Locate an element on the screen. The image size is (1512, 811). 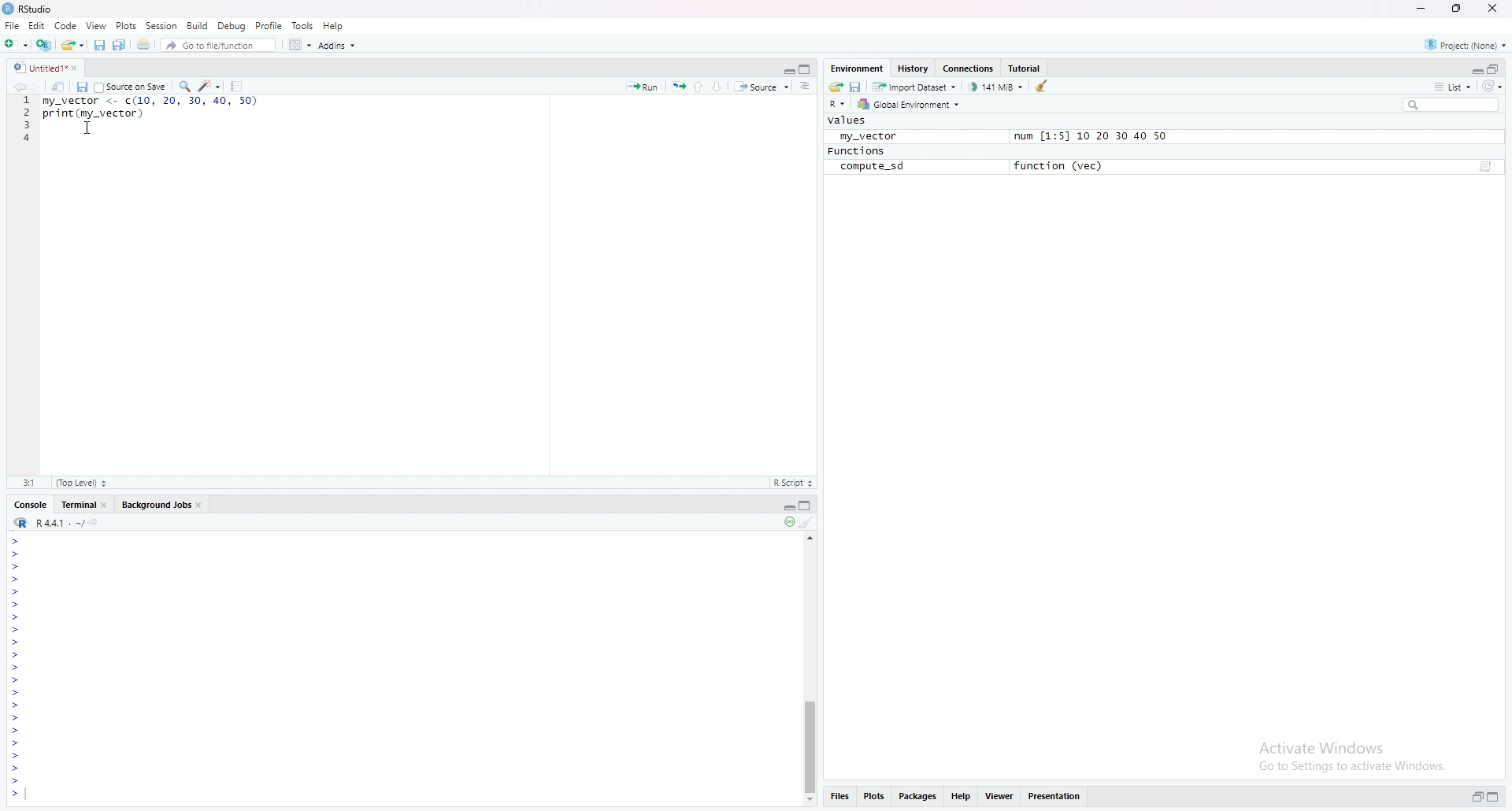
Debug is located at coordinates (232, 25).